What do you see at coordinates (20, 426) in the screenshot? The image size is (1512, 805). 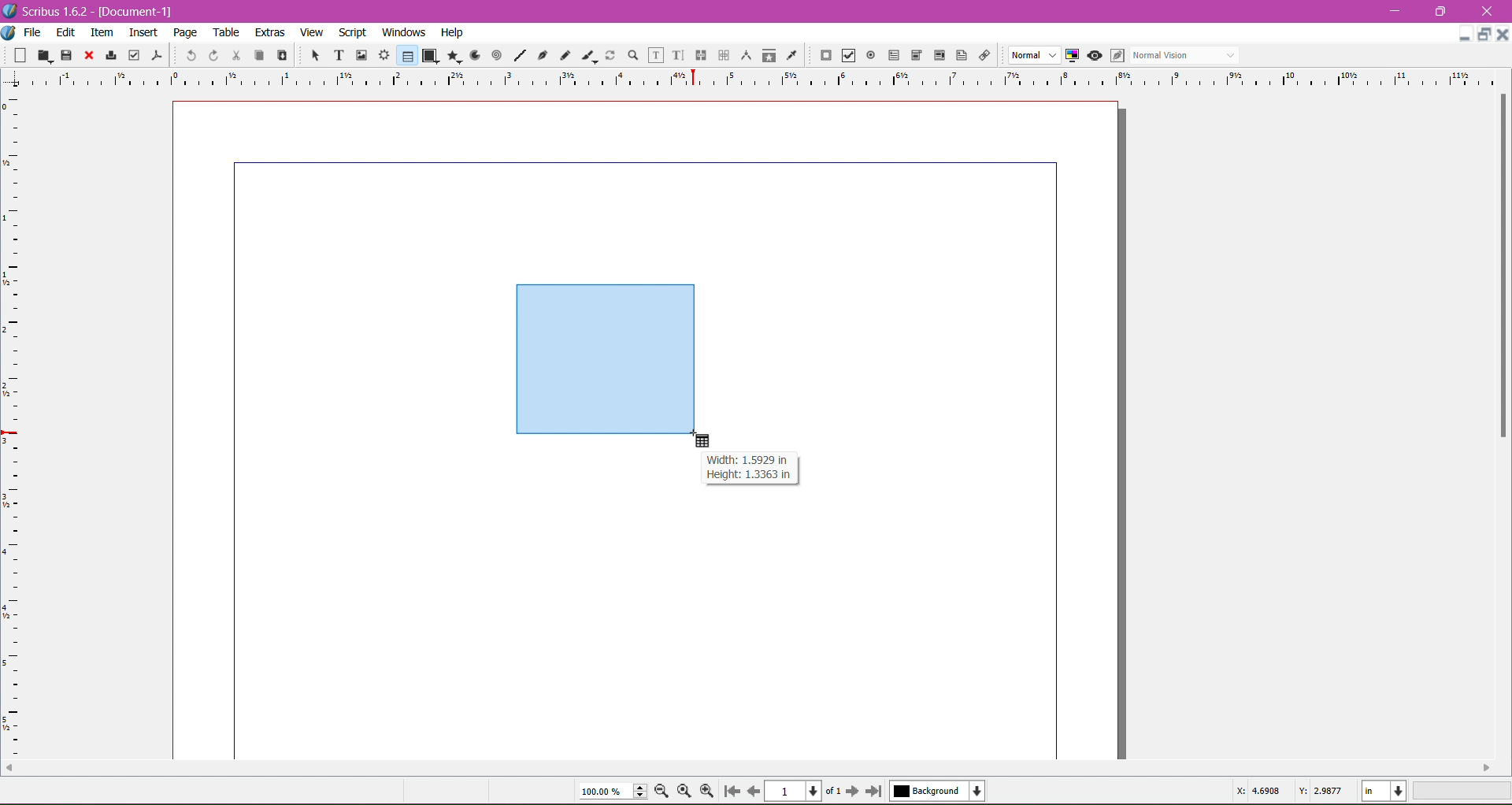 I see `Grid` at bounding box center [20, 426].